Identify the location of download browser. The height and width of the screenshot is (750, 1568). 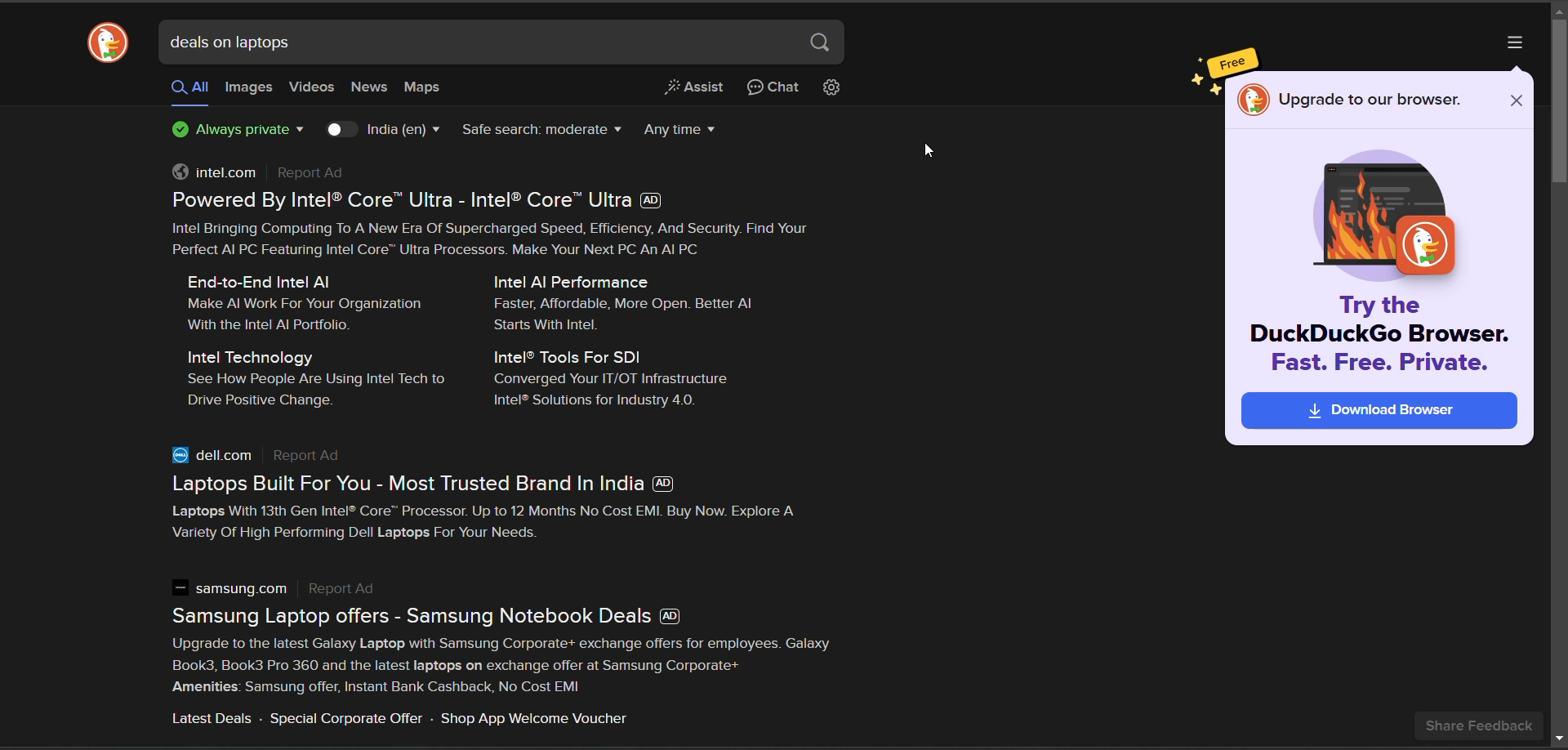
(1375, 413).